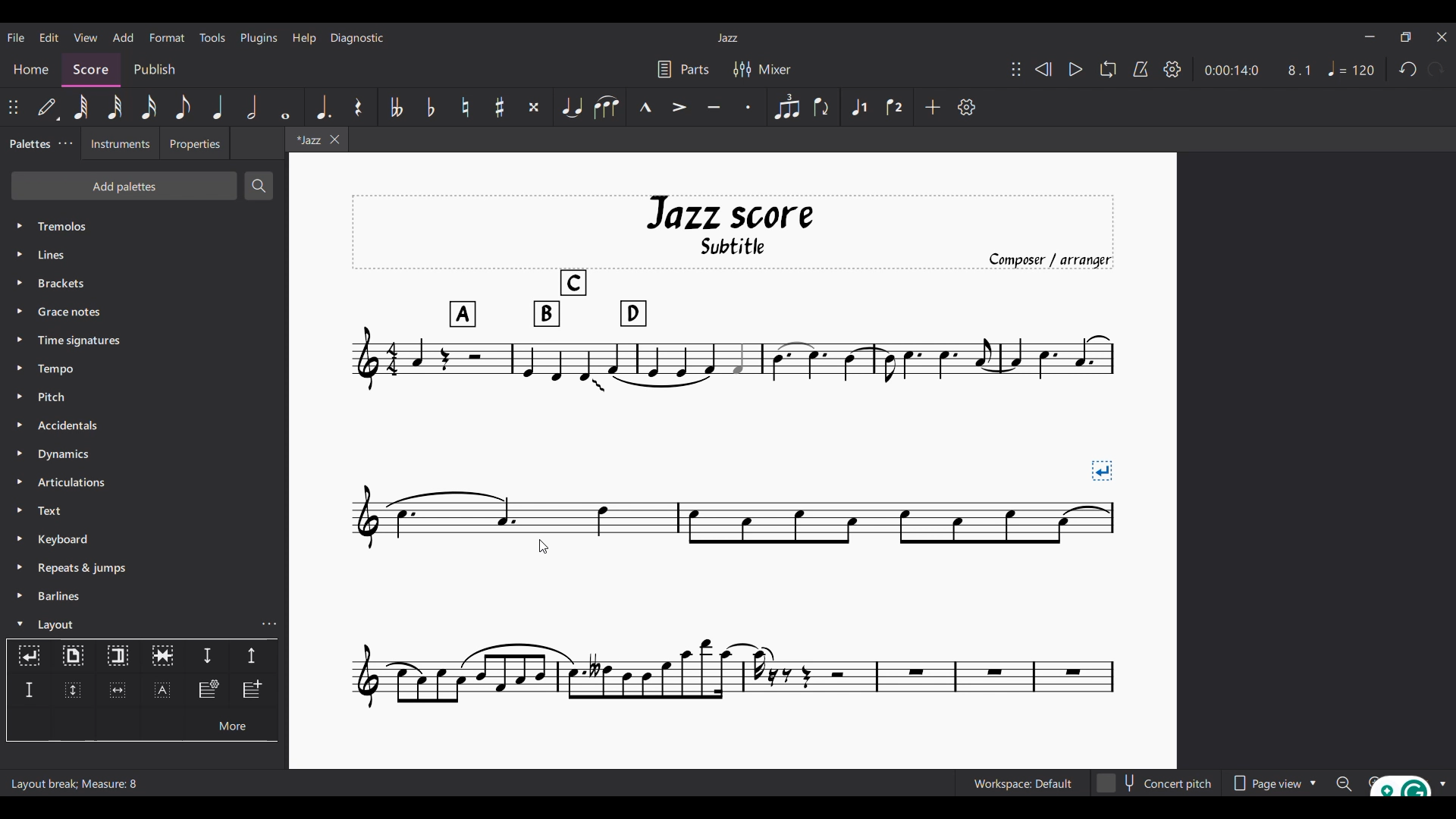 This screenshot has width=1456, height=819. I want to click on 0:00:14:0, so click(1231, 71).